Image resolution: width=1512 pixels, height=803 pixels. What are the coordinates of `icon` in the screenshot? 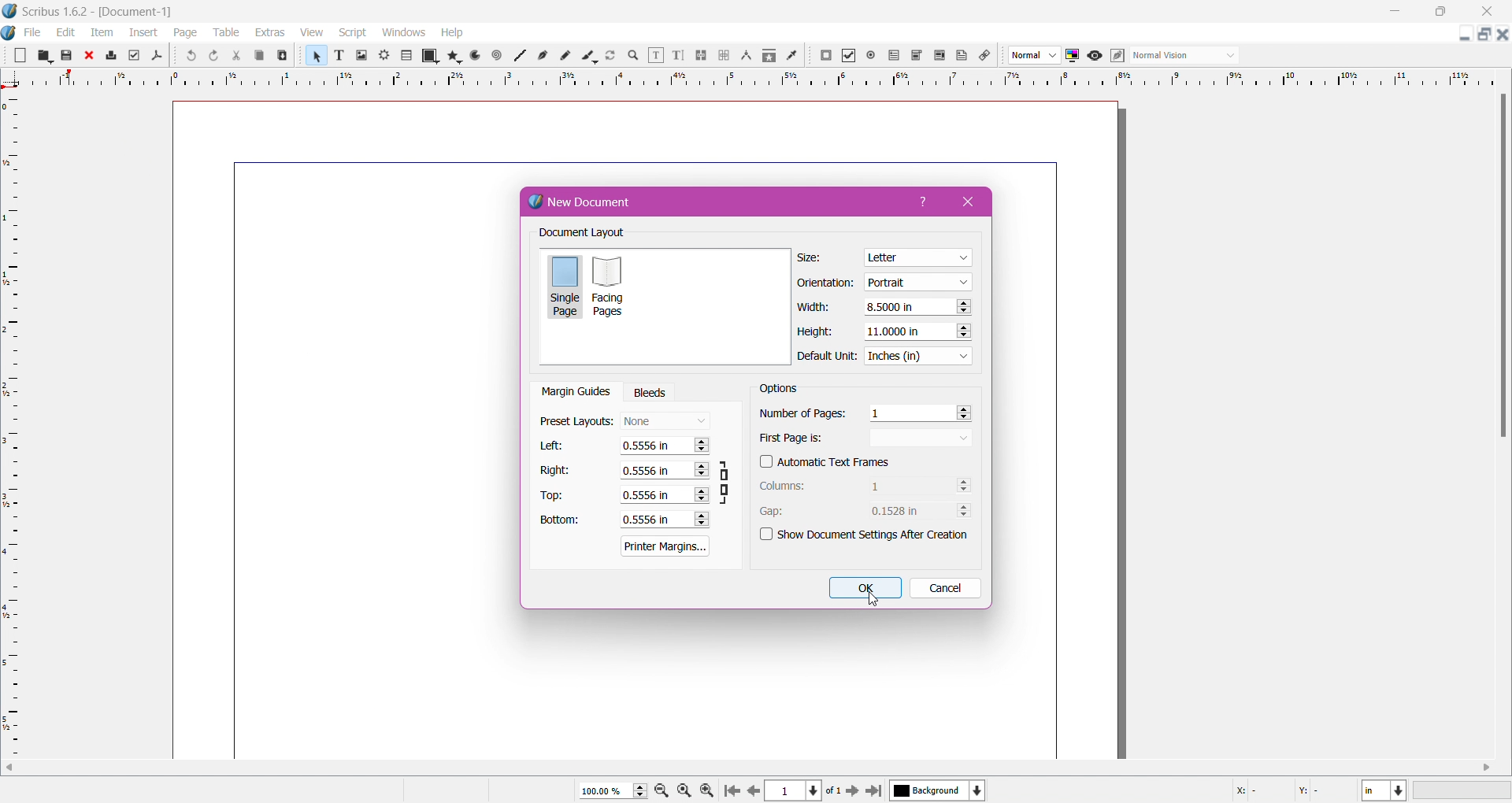 It's located at (218, 55).